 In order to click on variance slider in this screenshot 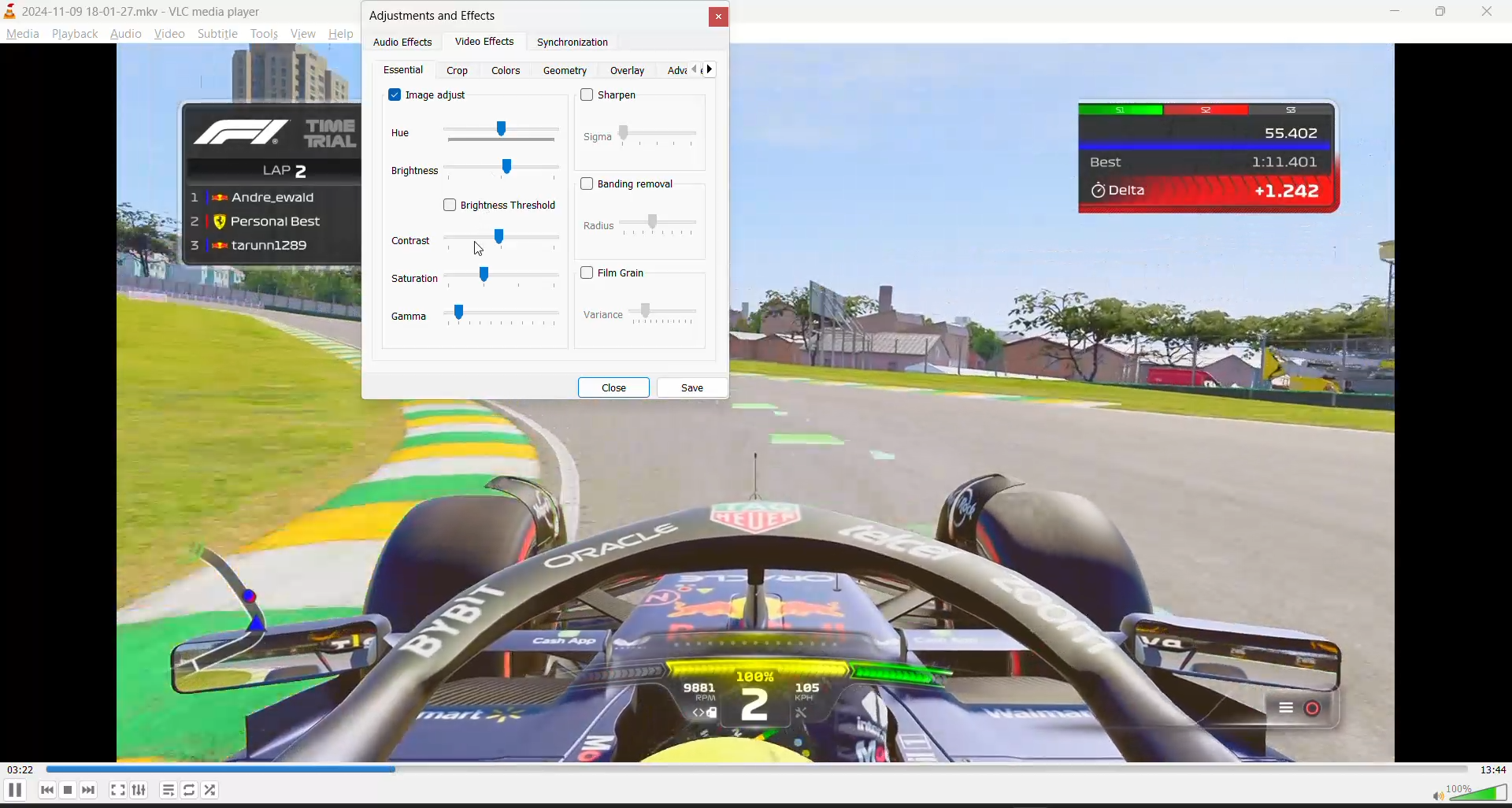, I will do `click(664, 314)`.